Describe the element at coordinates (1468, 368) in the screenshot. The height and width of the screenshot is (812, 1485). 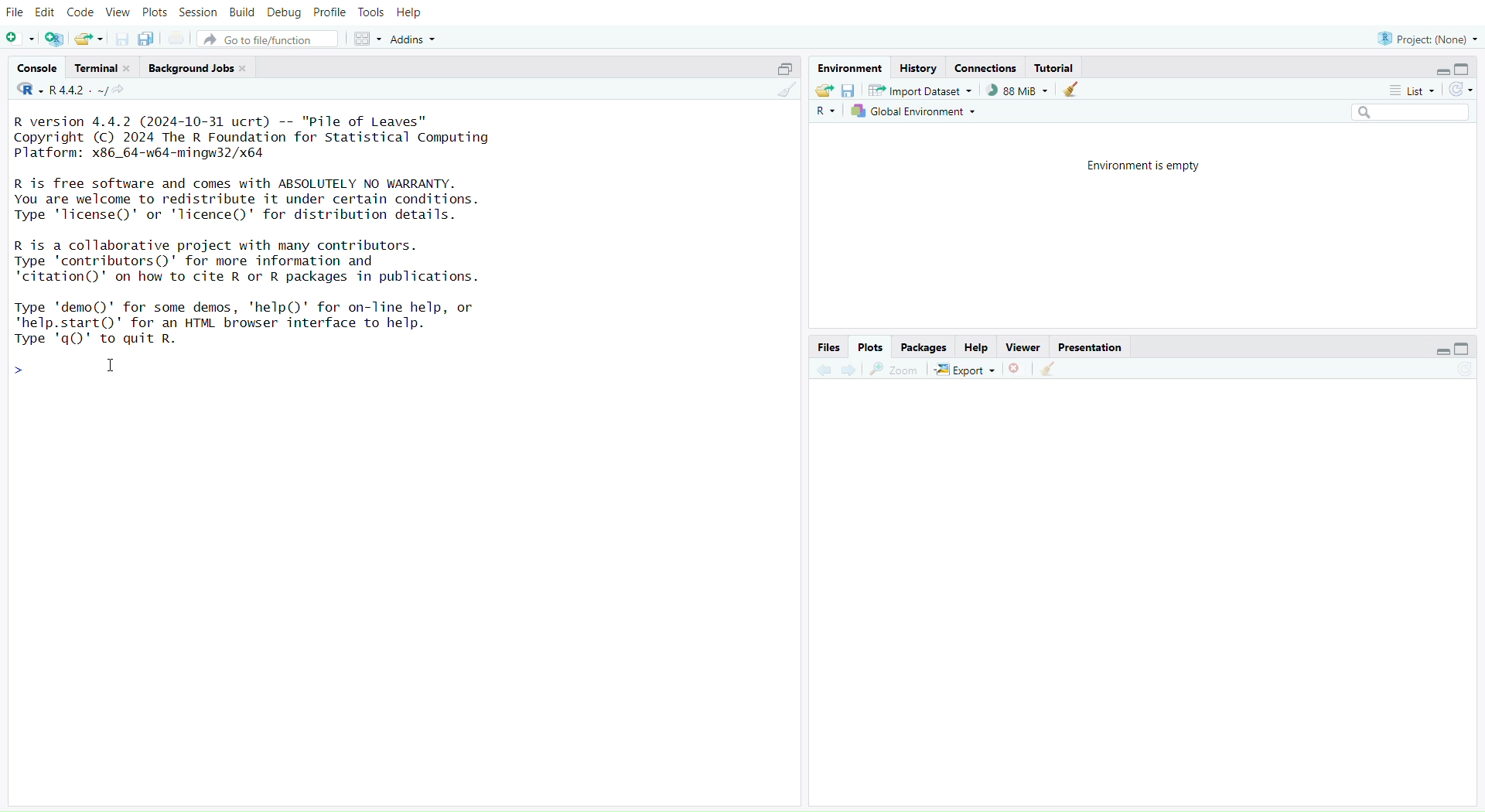
I see `refresh current plot` at that location.